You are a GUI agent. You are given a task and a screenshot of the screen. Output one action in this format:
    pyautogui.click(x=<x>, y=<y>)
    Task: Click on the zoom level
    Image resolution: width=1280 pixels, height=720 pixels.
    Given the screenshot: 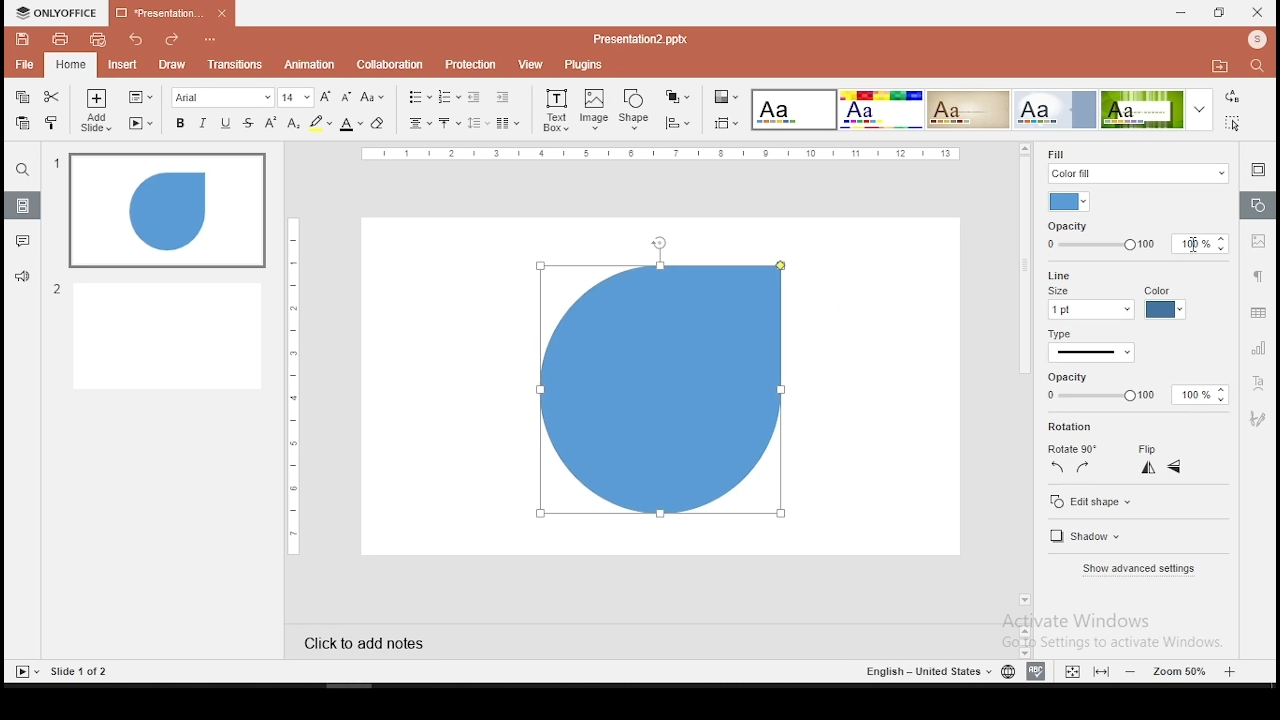 What is the action you would take?
    pyautogui.click(x=1181, y=671)
    